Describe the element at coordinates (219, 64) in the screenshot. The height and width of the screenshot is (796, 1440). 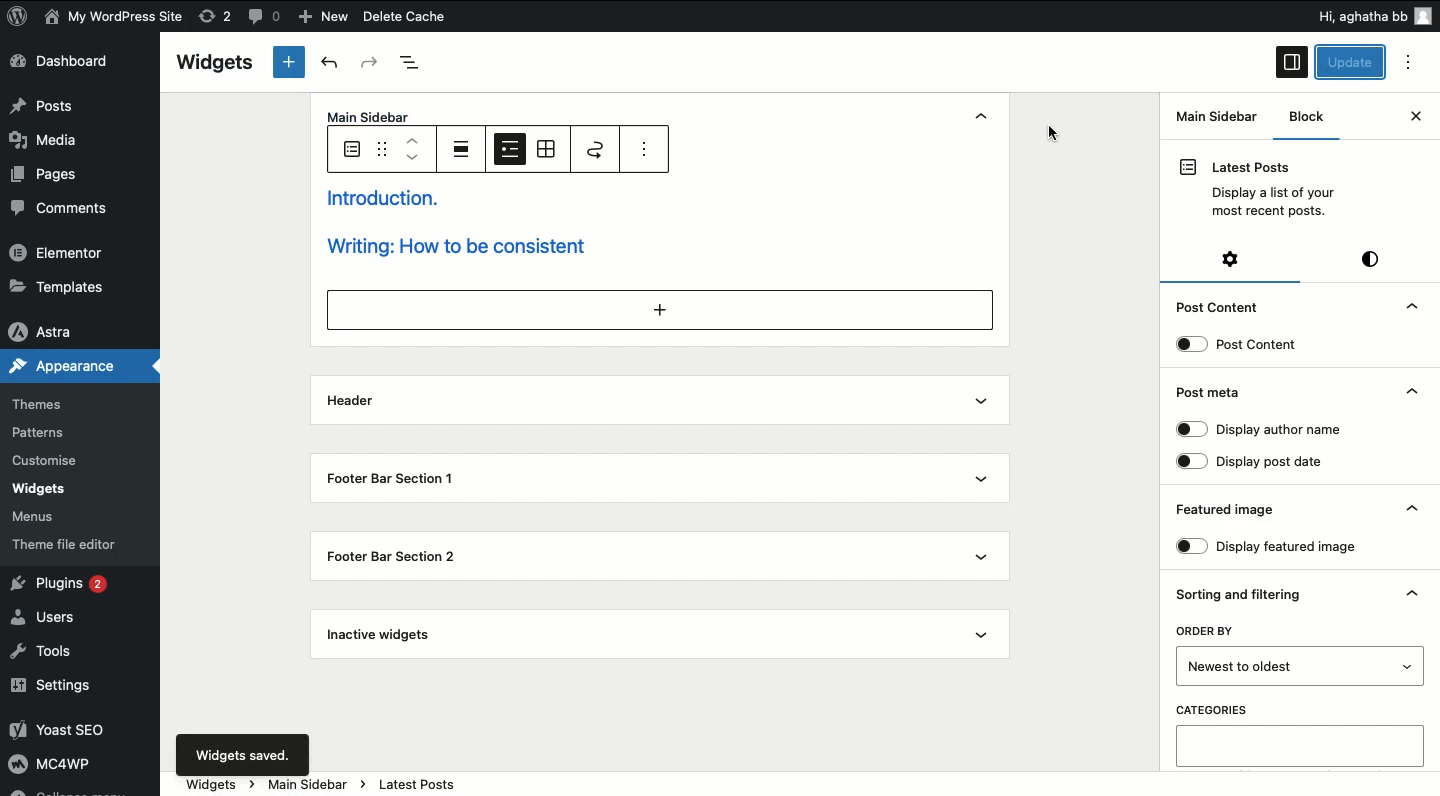
I see `Widgets` at that location.